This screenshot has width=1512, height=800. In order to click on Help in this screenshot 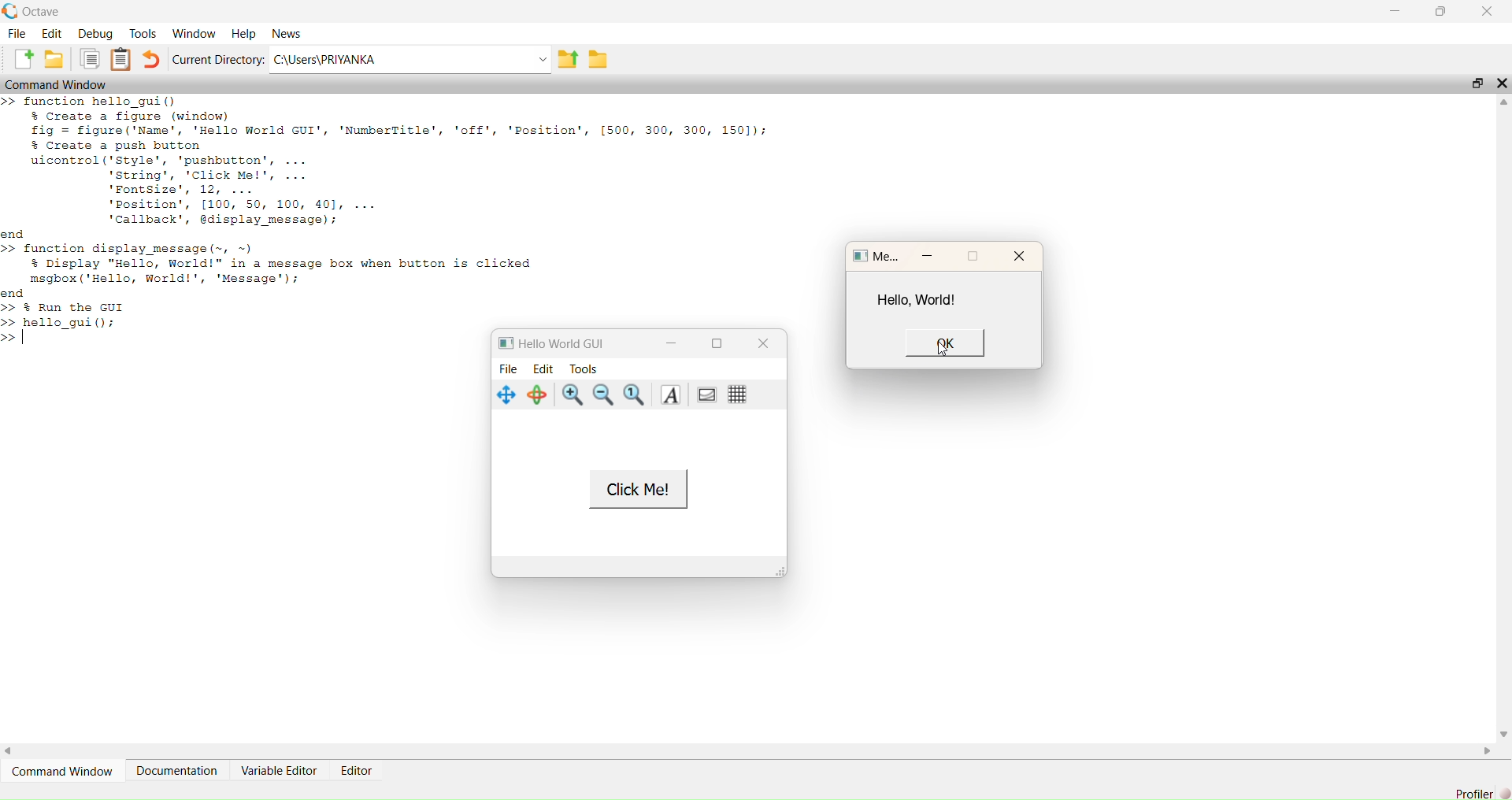, I will do `click(243, 30)`.